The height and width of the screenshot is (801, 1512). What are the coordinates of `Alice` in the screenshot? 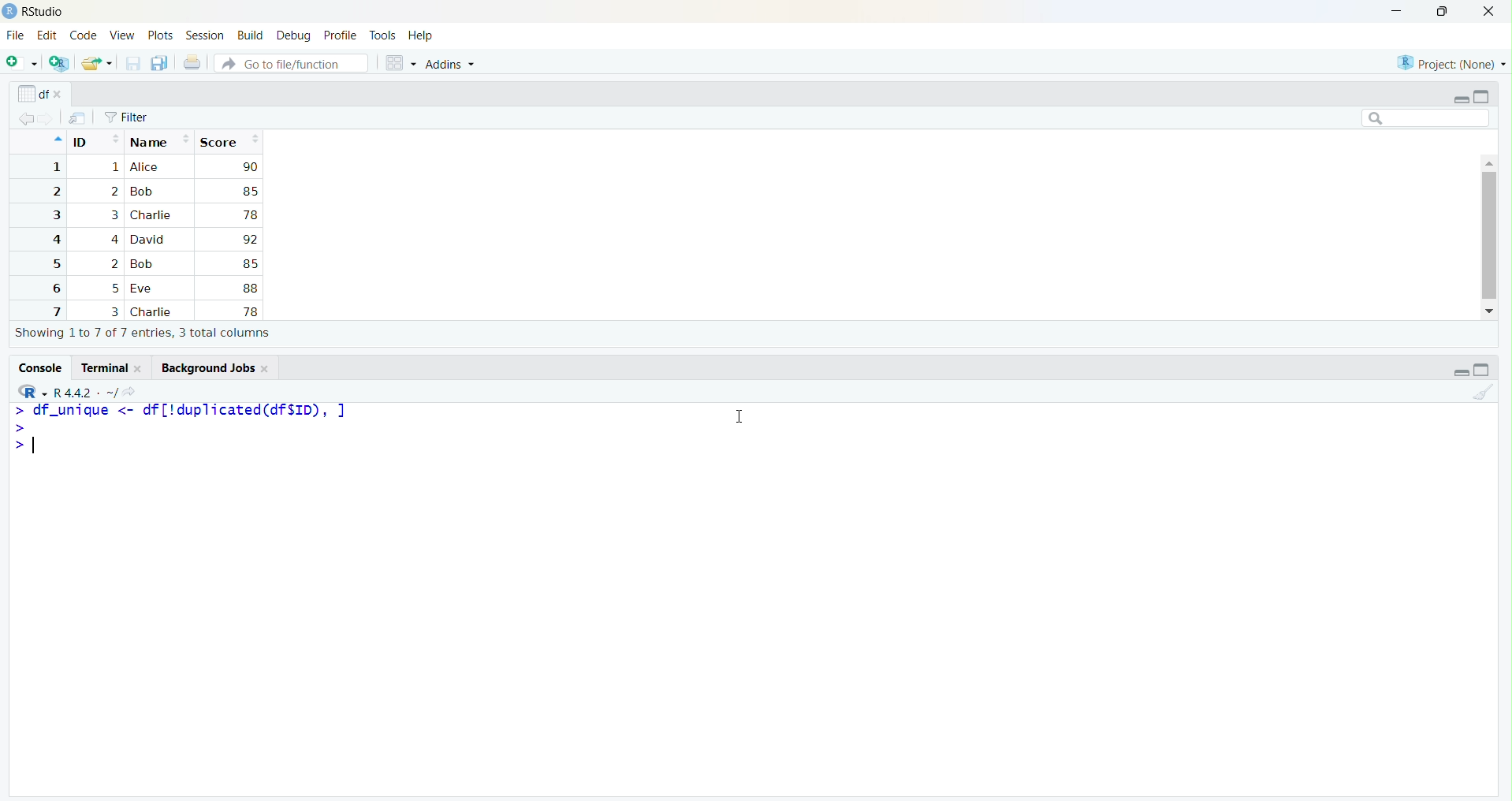 It's located at (147, 167).